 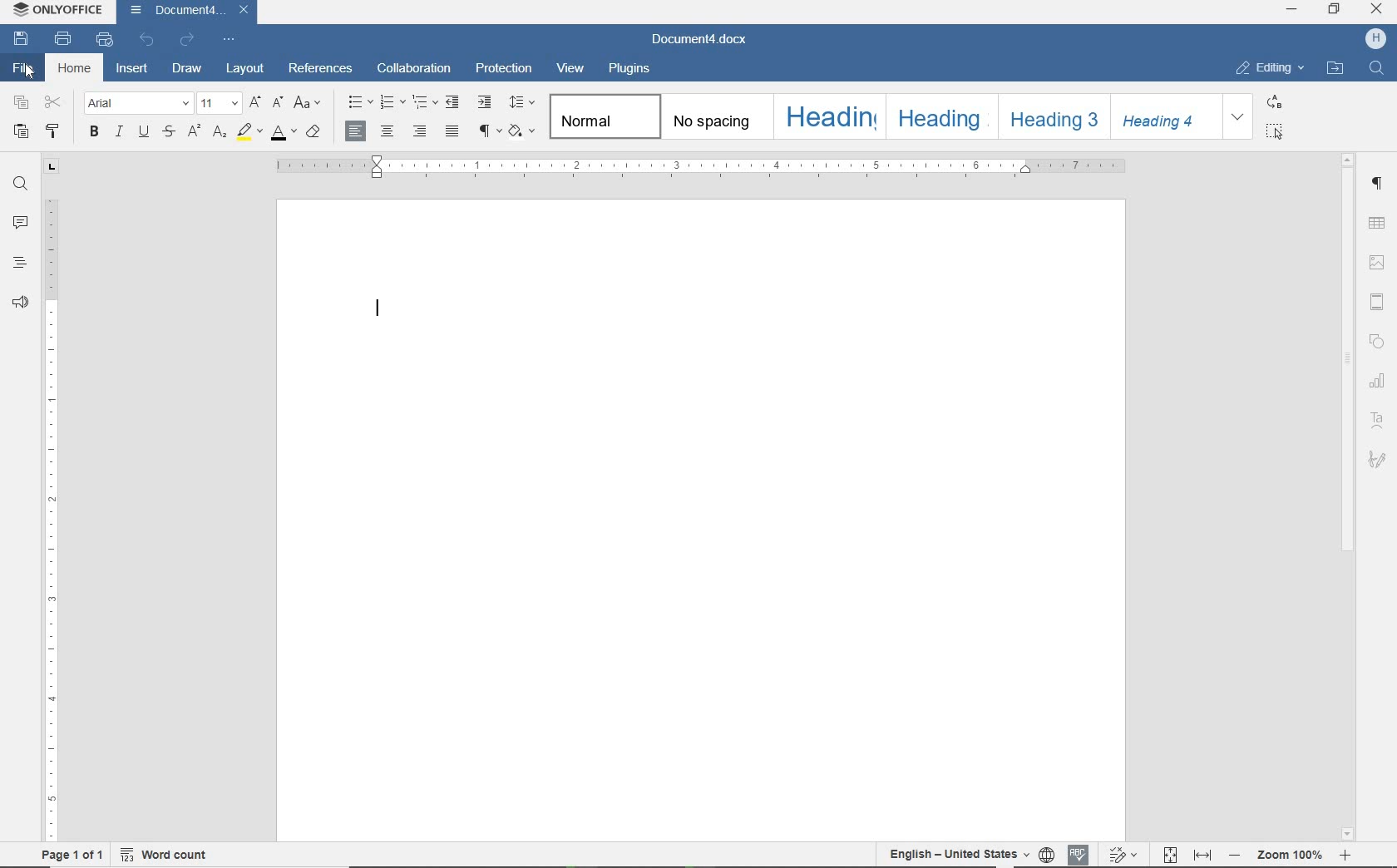 I want to click on minimize, so click(x=1291, y=8).